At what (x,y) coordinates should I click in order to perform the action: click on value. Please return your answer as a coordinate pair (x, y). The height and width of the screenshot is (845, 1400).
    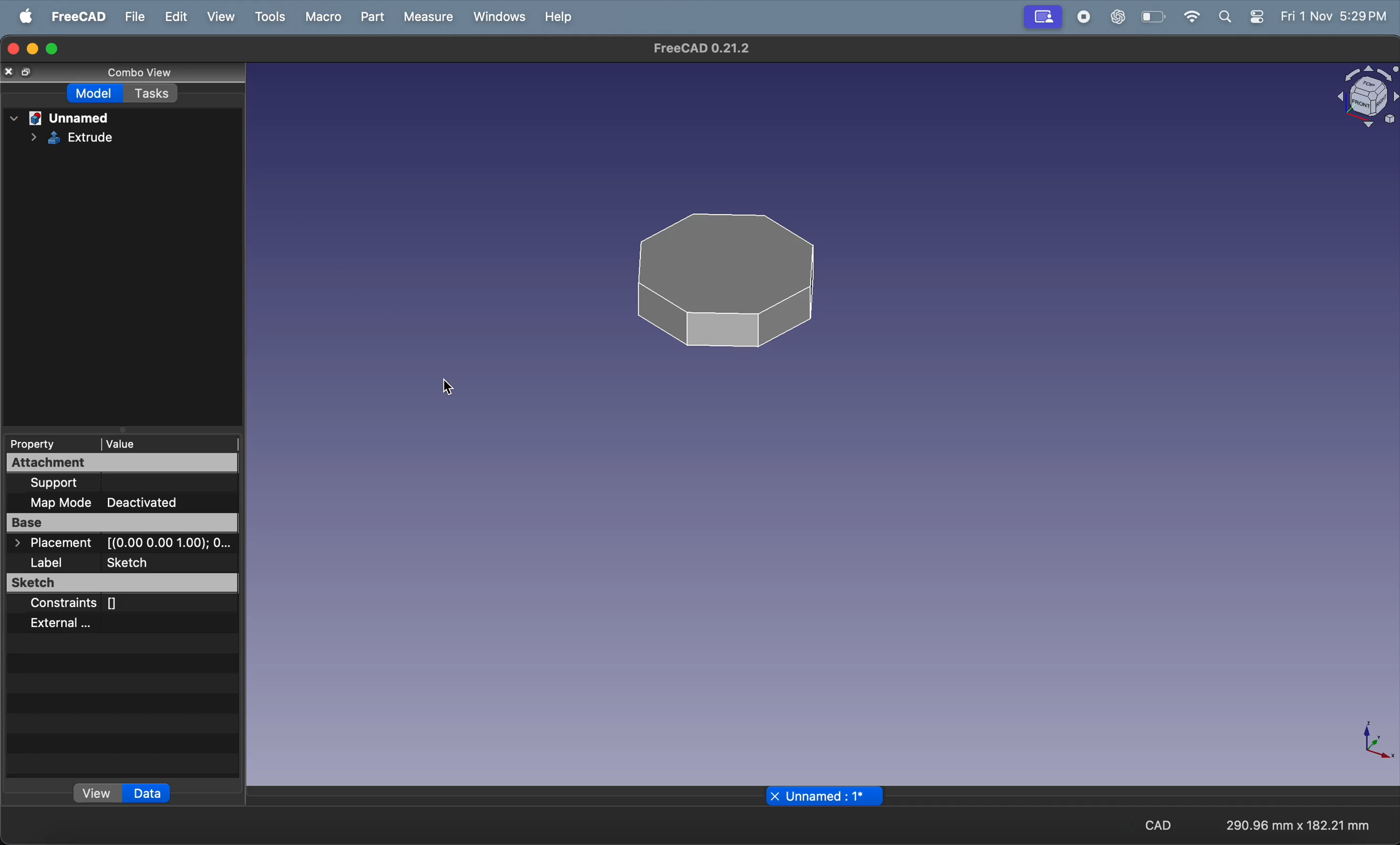
    Looking at the image, I should click on (162, 444).